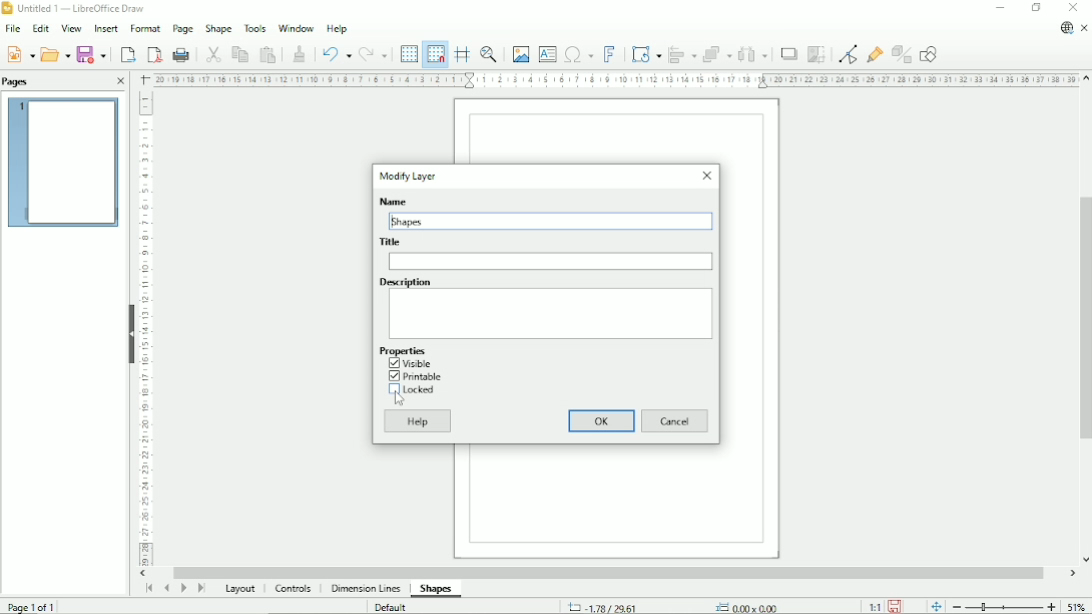  Describe the element at coordinates (392, 200) in the screenshot. I see `Name` at that location.